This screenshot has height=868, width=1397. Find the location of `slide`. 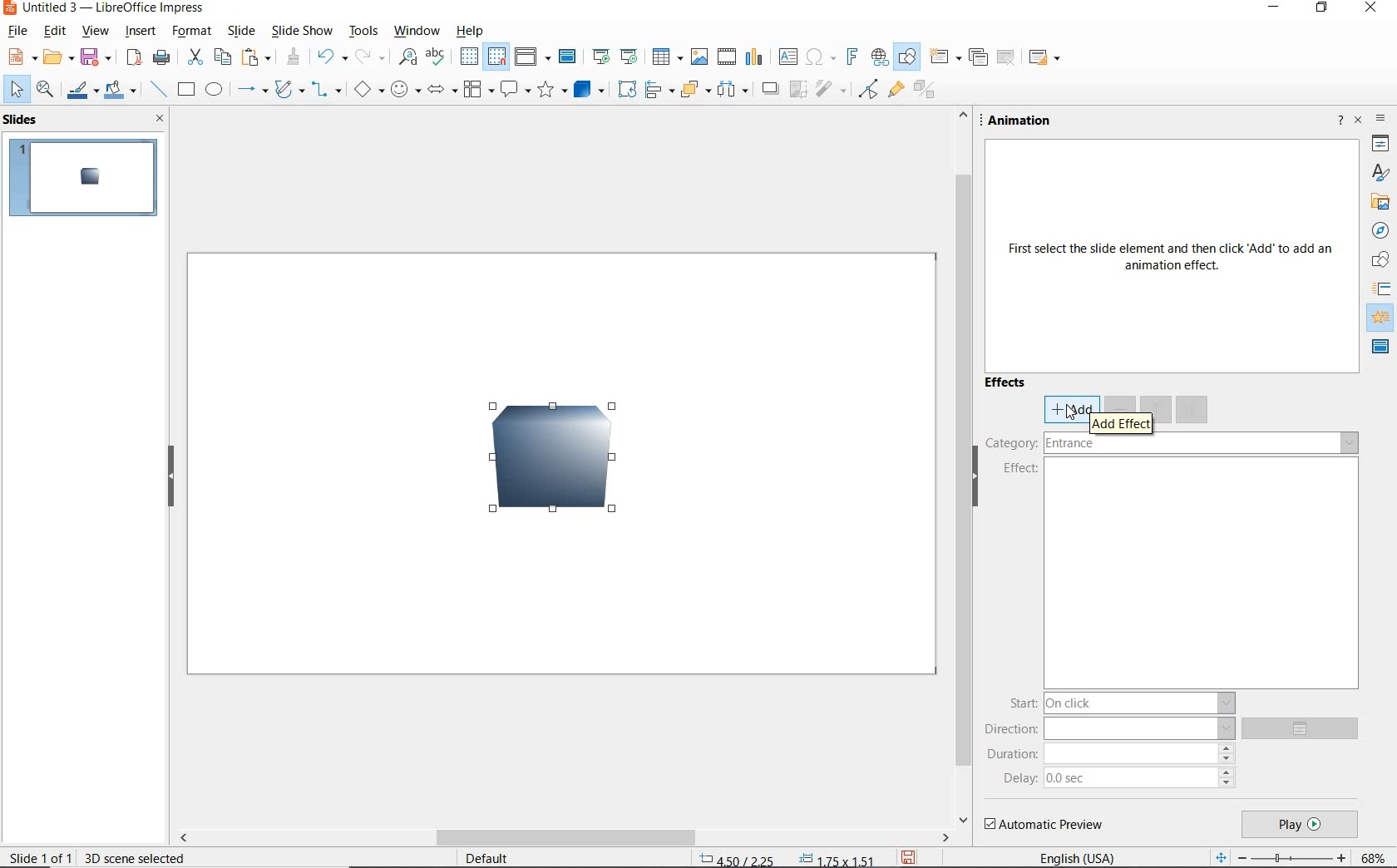

slide is located at coordinates (240, 31).